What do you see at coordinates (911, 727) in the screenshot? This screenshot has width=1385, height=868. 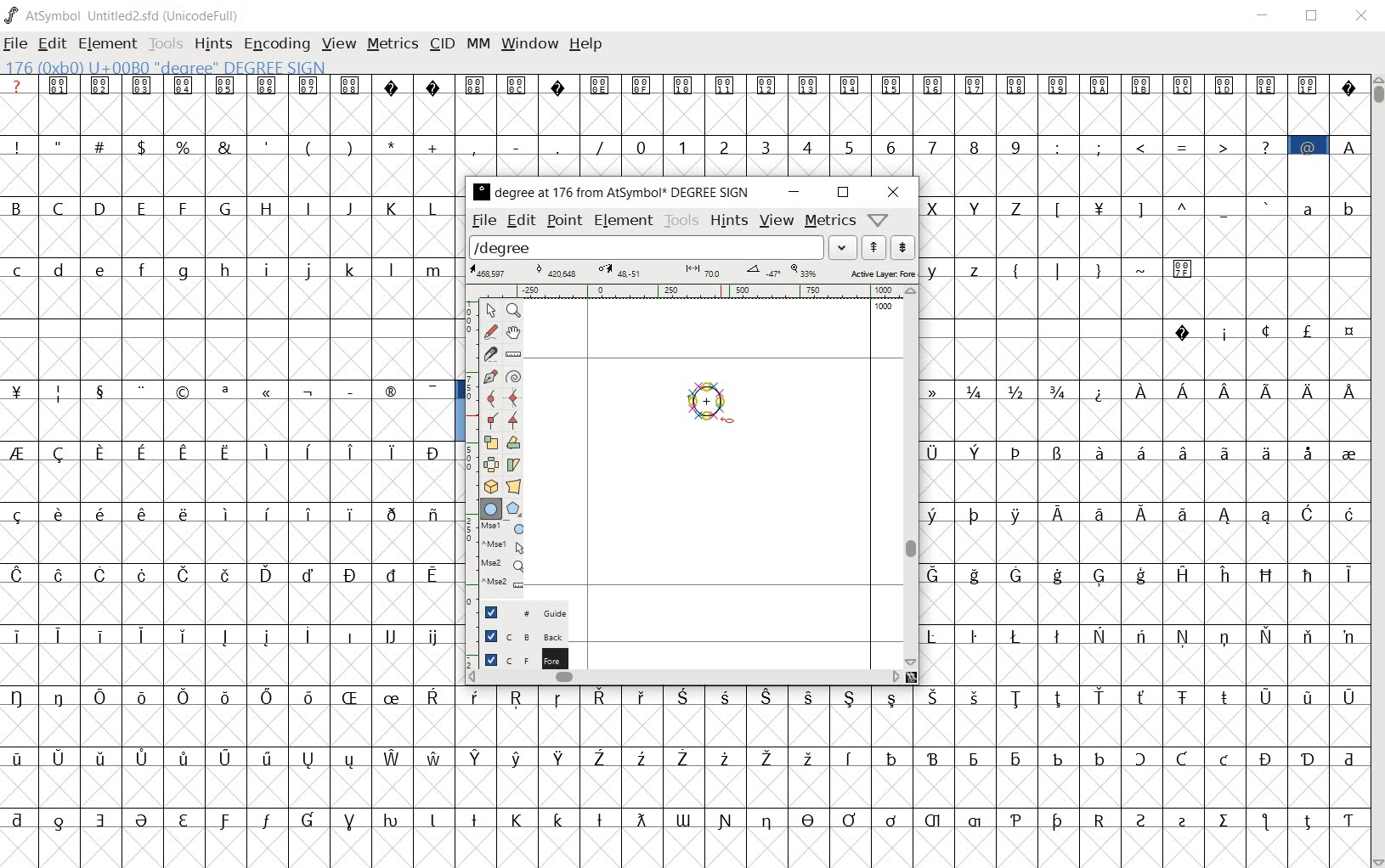 I see `empty glyph slots` at bounding box center [911, 727].